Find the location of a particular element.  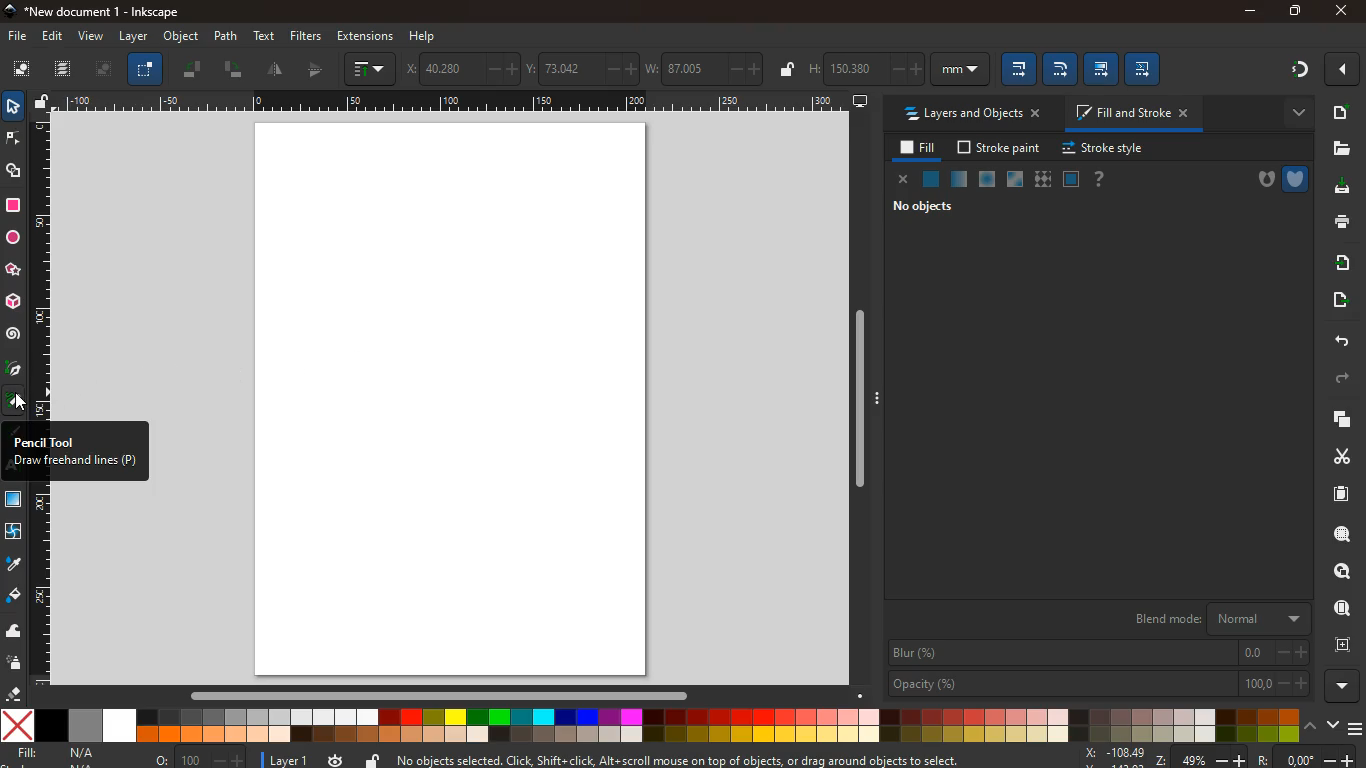

more is located at coordinates (1291, 113).